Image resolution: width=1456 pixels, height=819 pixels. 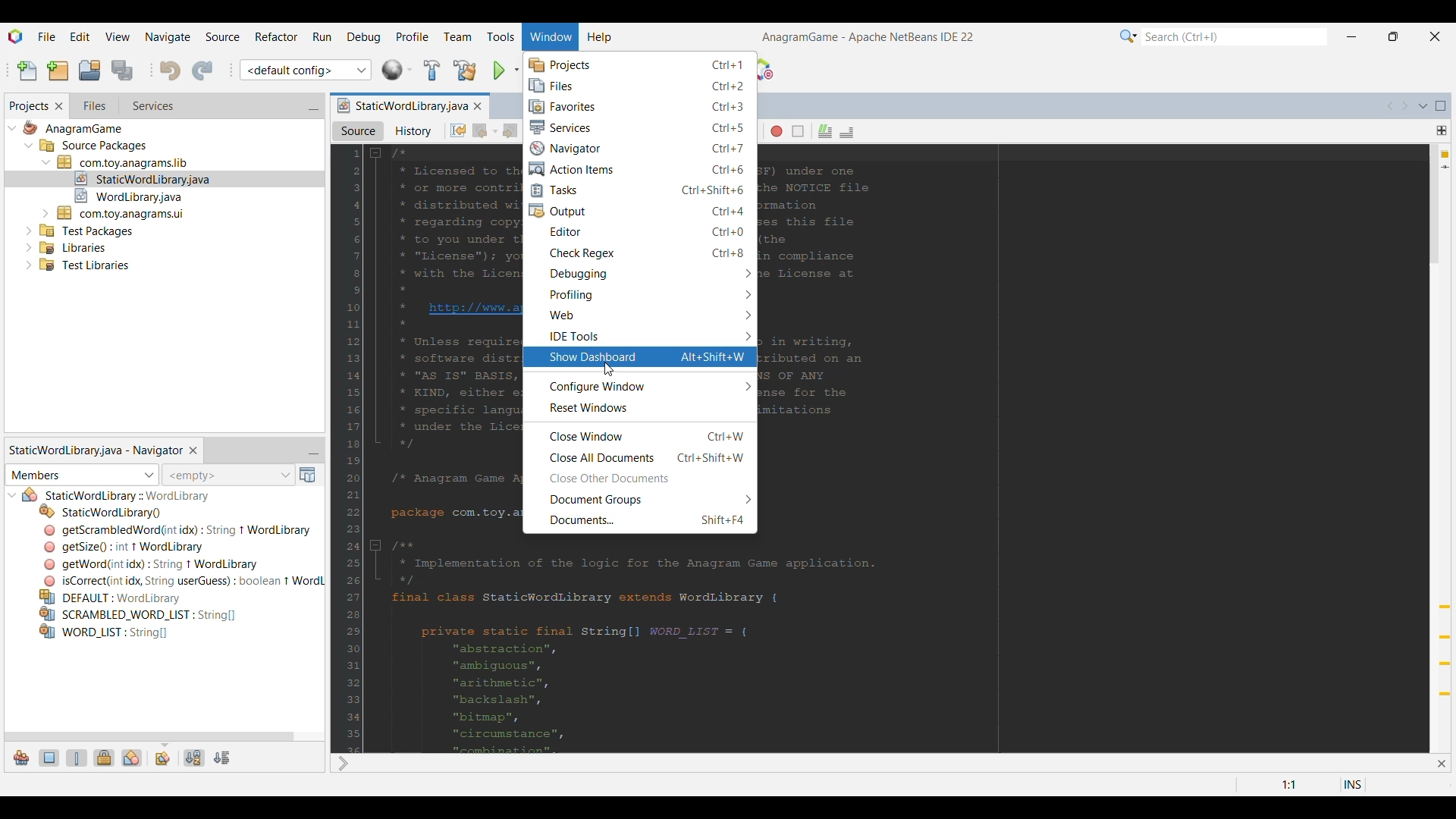 What do you see at coordinates (825, 131) in the screenshot?
I see `Comment` at bounding box center [825, 131].